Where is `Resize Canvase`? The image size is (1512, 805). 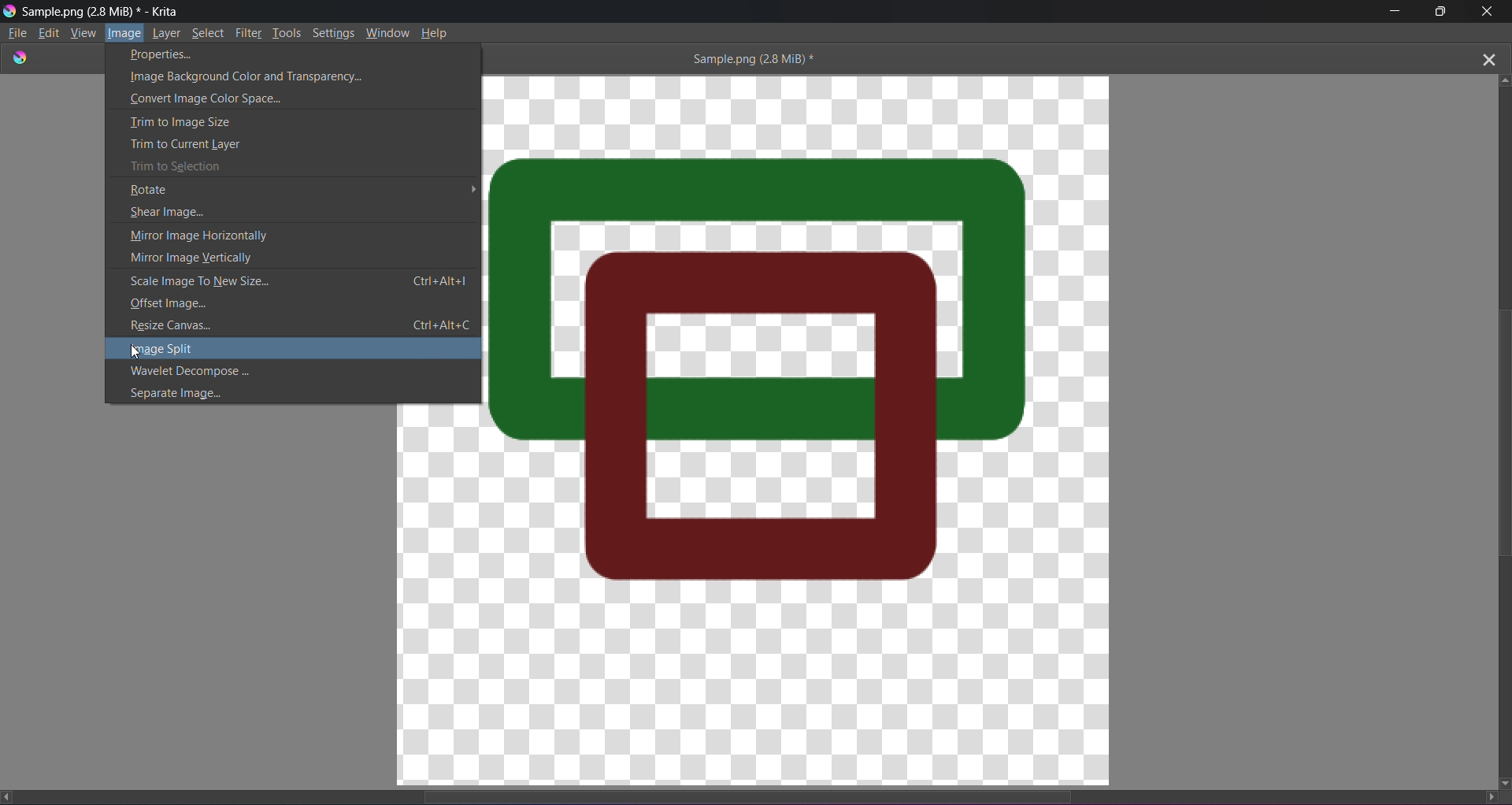
Resize Canvase is located at coordinates (298, 325).